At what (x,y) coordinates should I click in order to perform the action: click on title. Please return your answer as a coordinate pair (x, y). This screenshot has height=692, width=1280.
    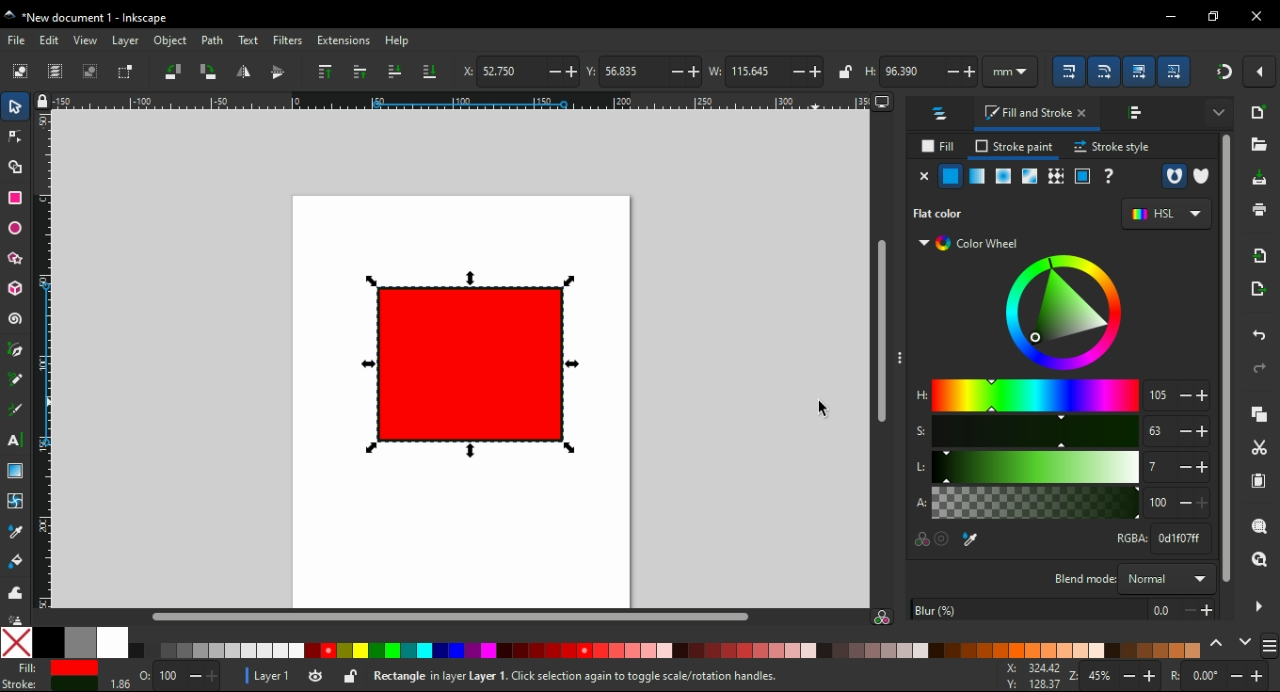
    Looking at the image, I should click on (124, 18).